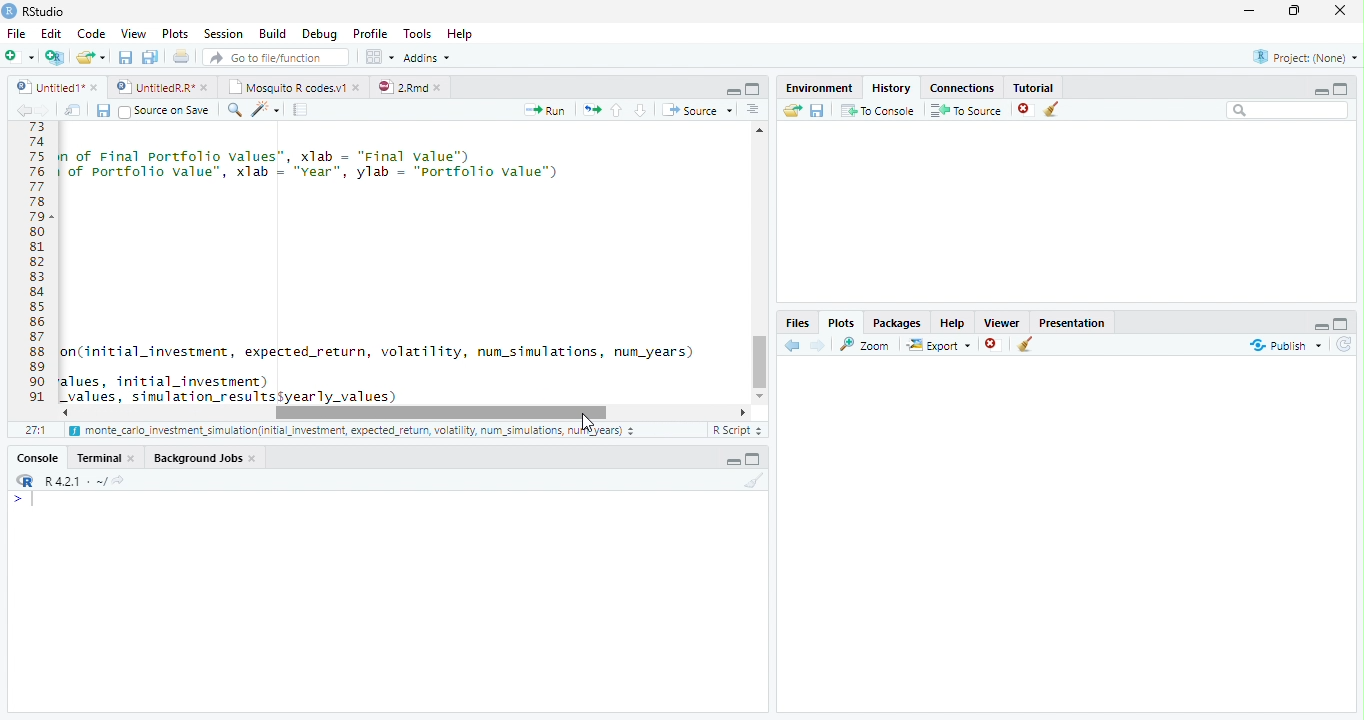 This screenshot has height=720, width=1364. I want to click on Compile Report, so click(303, 110).